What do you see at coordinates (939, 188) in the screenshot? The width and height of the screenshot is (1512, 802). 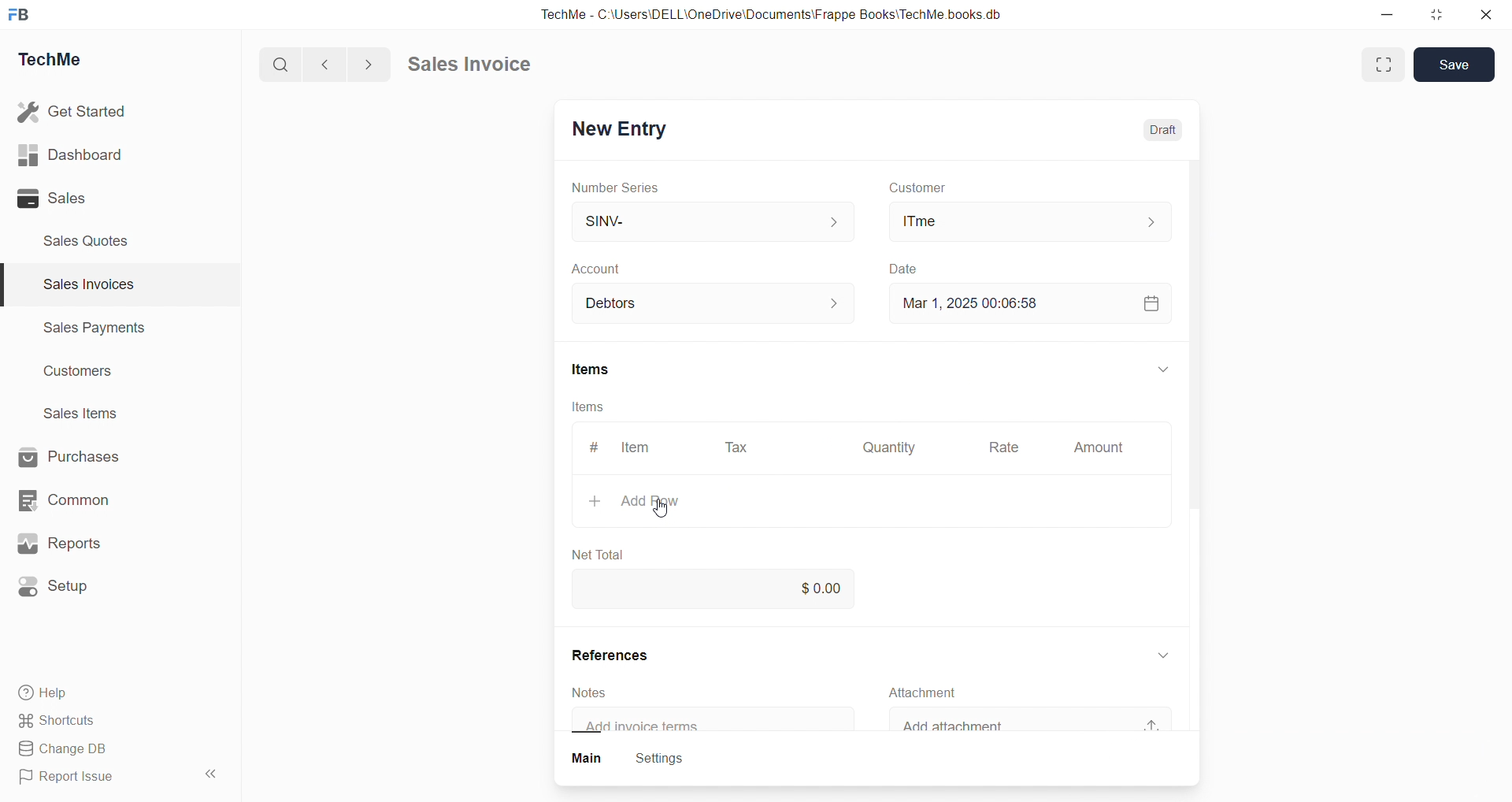 I see `Customer` at bounding box center [939, 188].